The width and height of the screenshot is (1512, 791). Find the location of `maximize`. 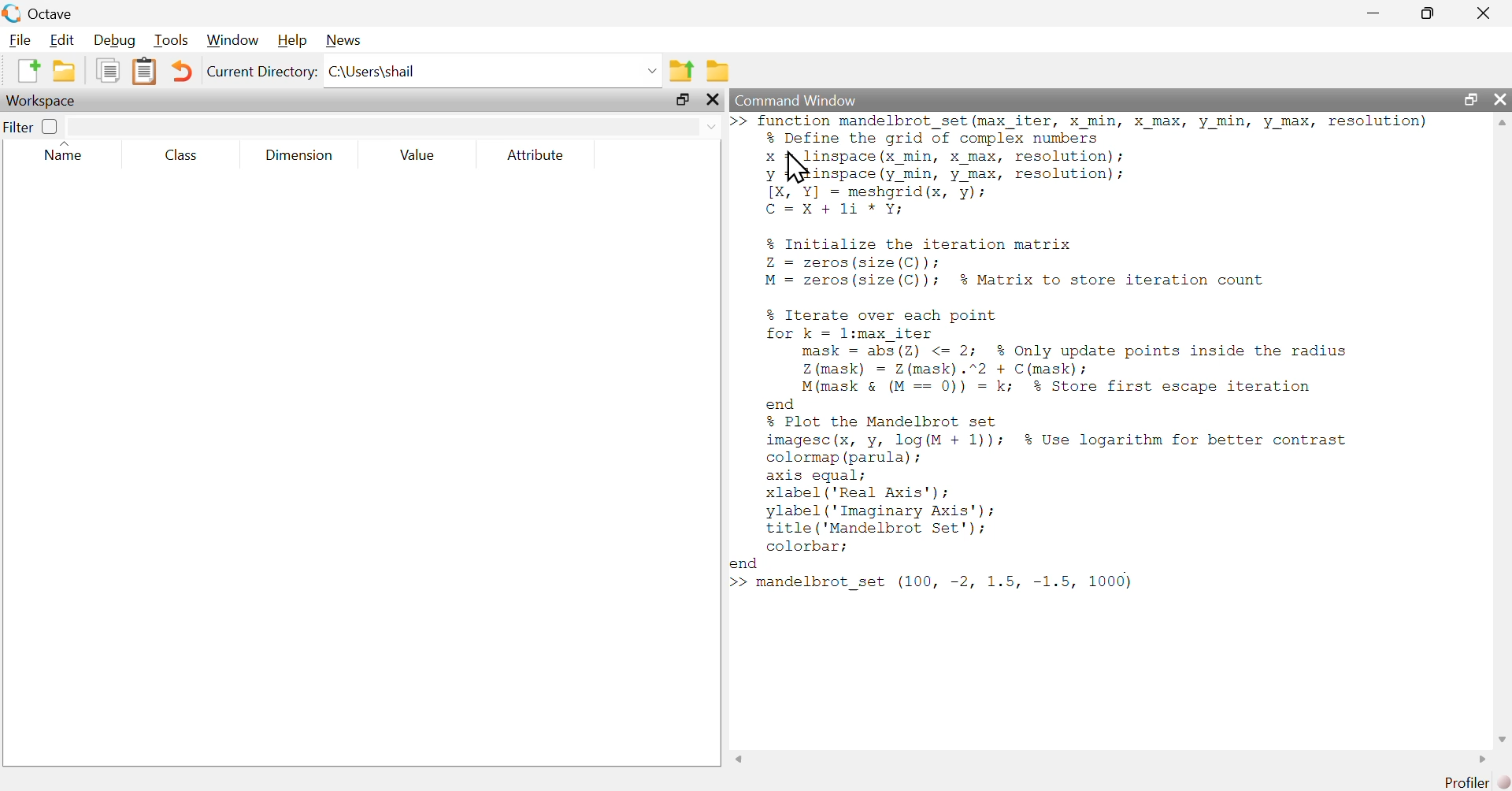

maximize is located at coordinates (1471, 100).